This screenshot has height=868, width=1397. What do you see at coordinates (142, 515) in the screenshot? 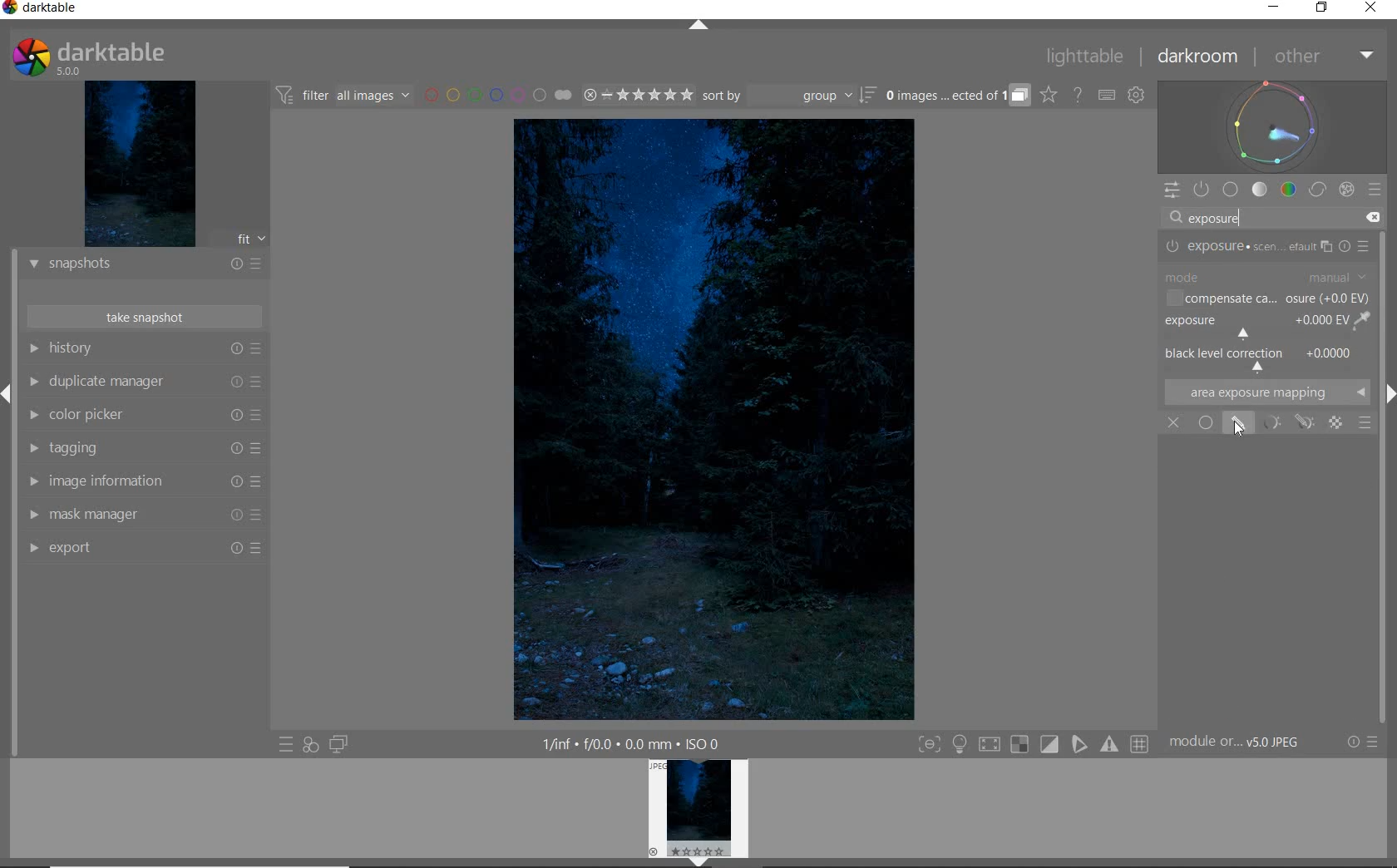
I see `MASK MANAGER` at bounding box center [142, 515].